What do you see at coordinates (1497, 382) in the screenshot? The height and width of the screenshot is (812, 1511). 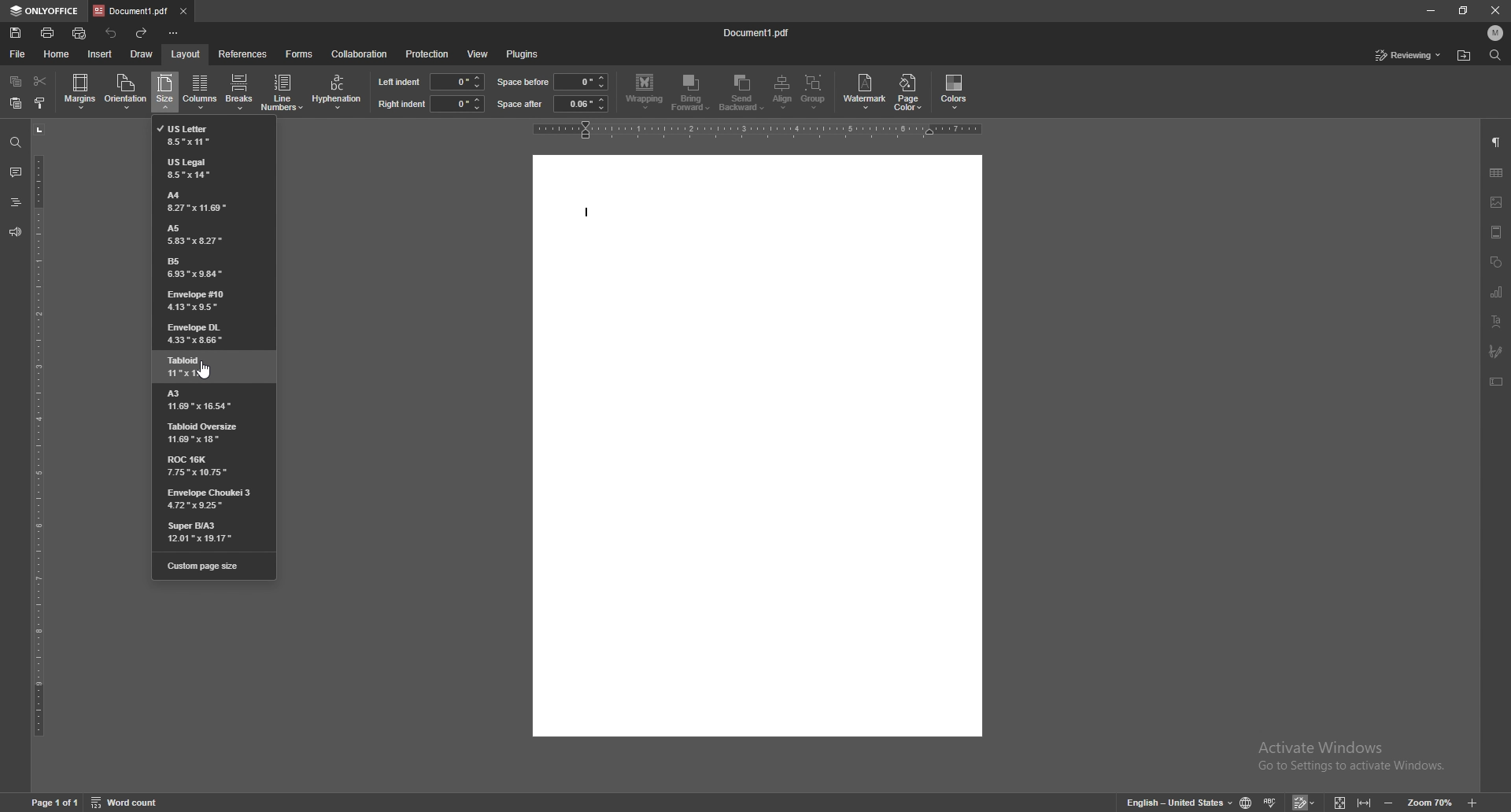 I see `text box` at bounding box center [1497, 382].